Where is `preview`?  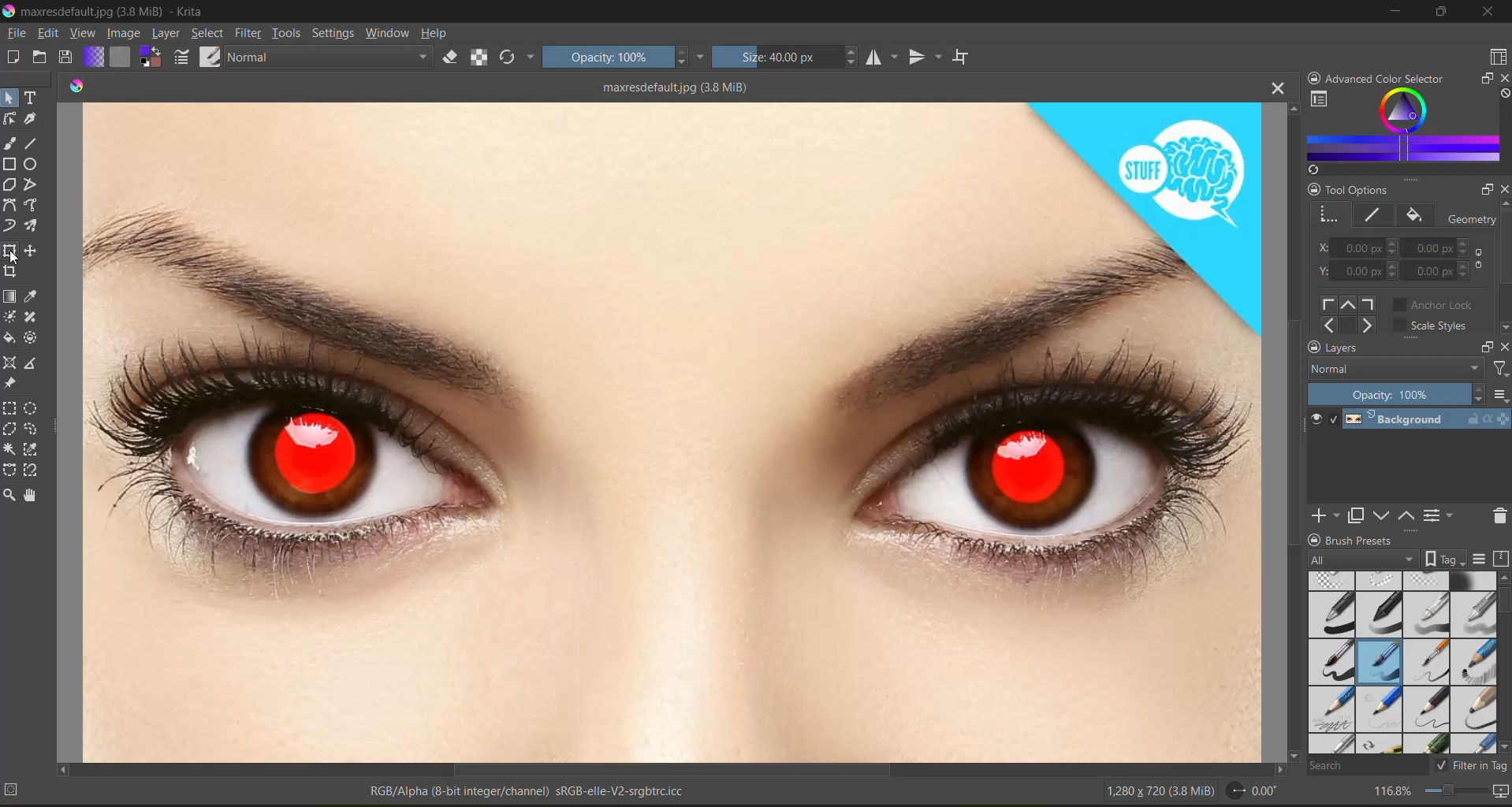 preview is located at coordinates (1316, 420).